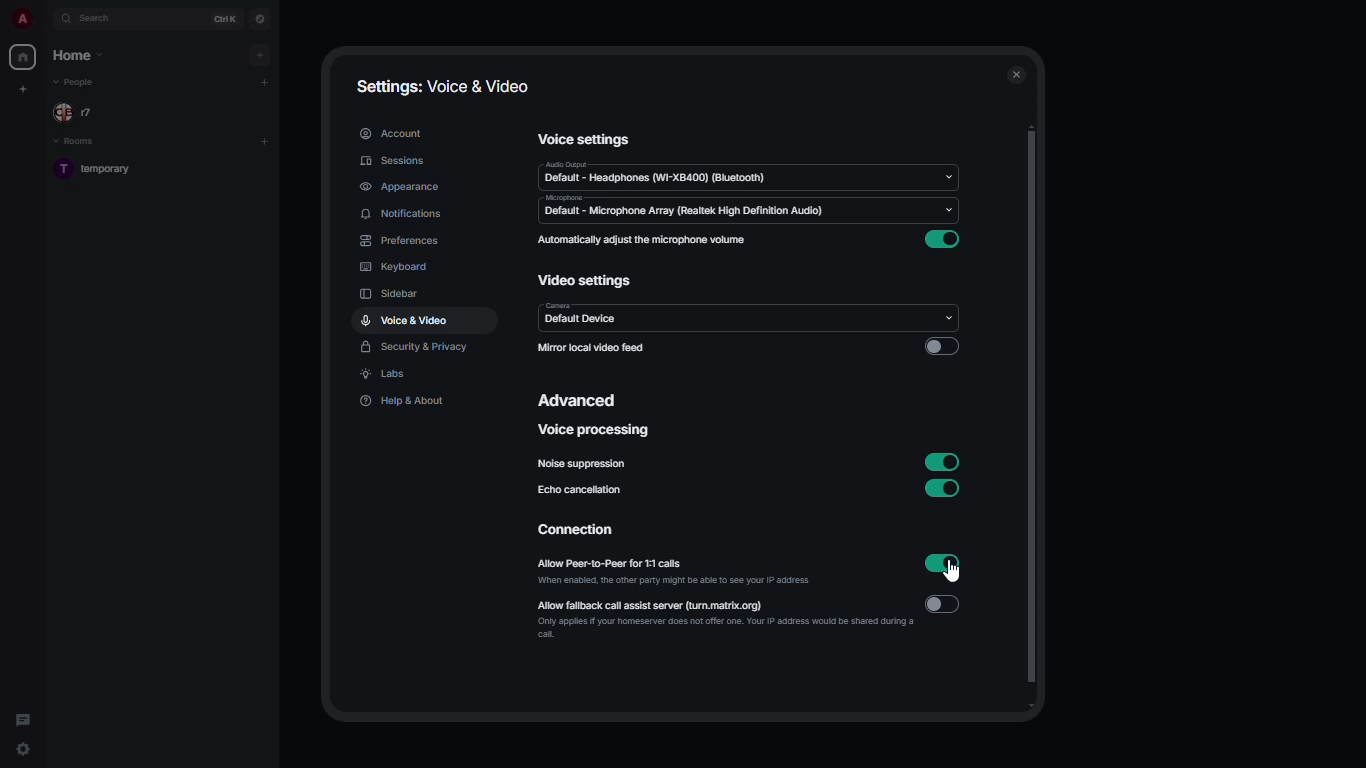 This screenshot has width=1366, height=768. What do you see at coordinates (403, 186) in the screenshot?
I see `appearance` at bounding box center [403, 186].